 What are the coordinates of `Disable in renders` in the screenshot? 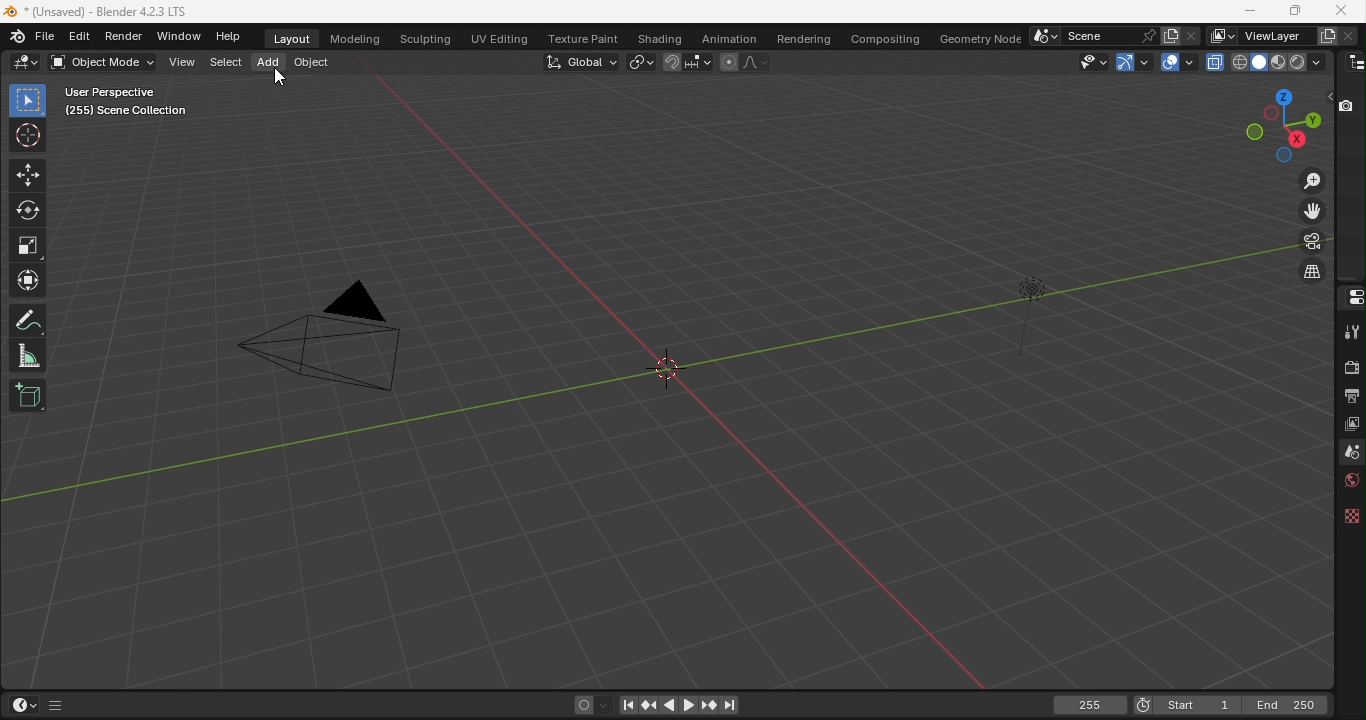 It's located at (1349, 106).